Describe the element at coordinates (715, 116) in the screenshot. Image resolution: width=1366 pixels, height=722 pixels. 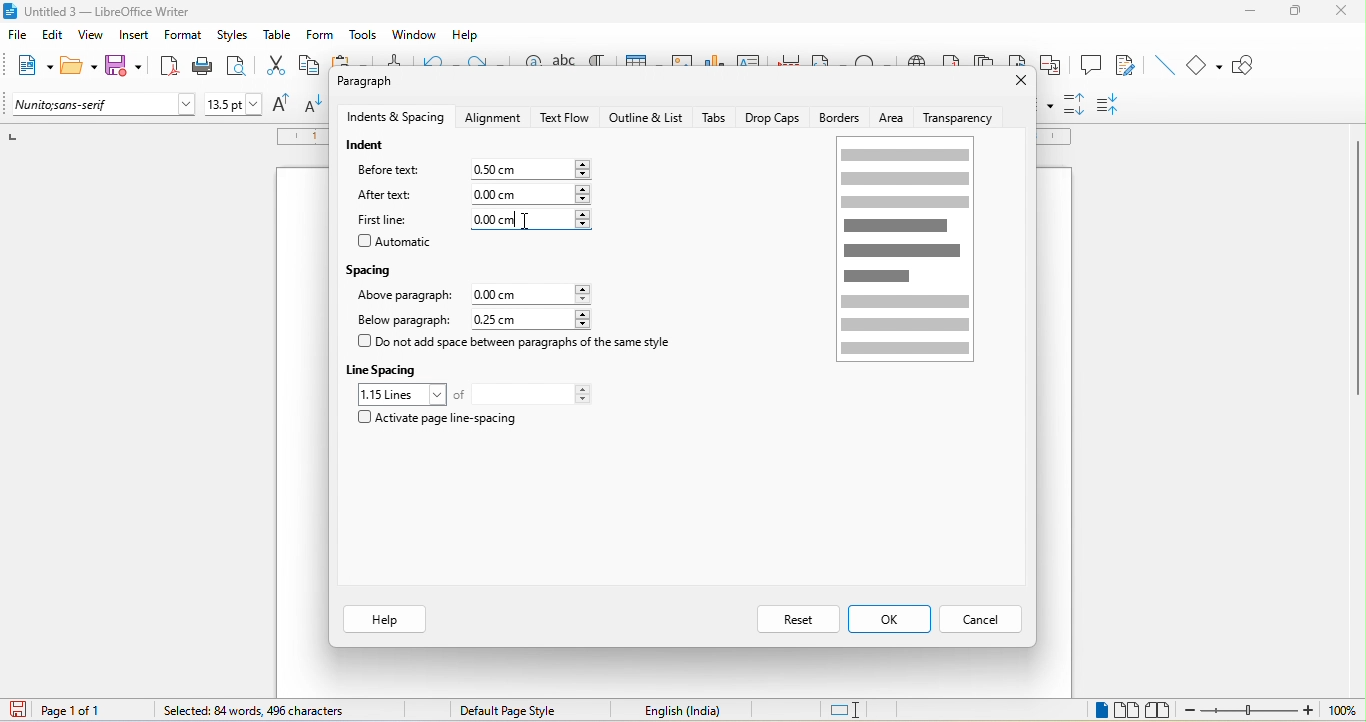
I see `tabs` at that location.